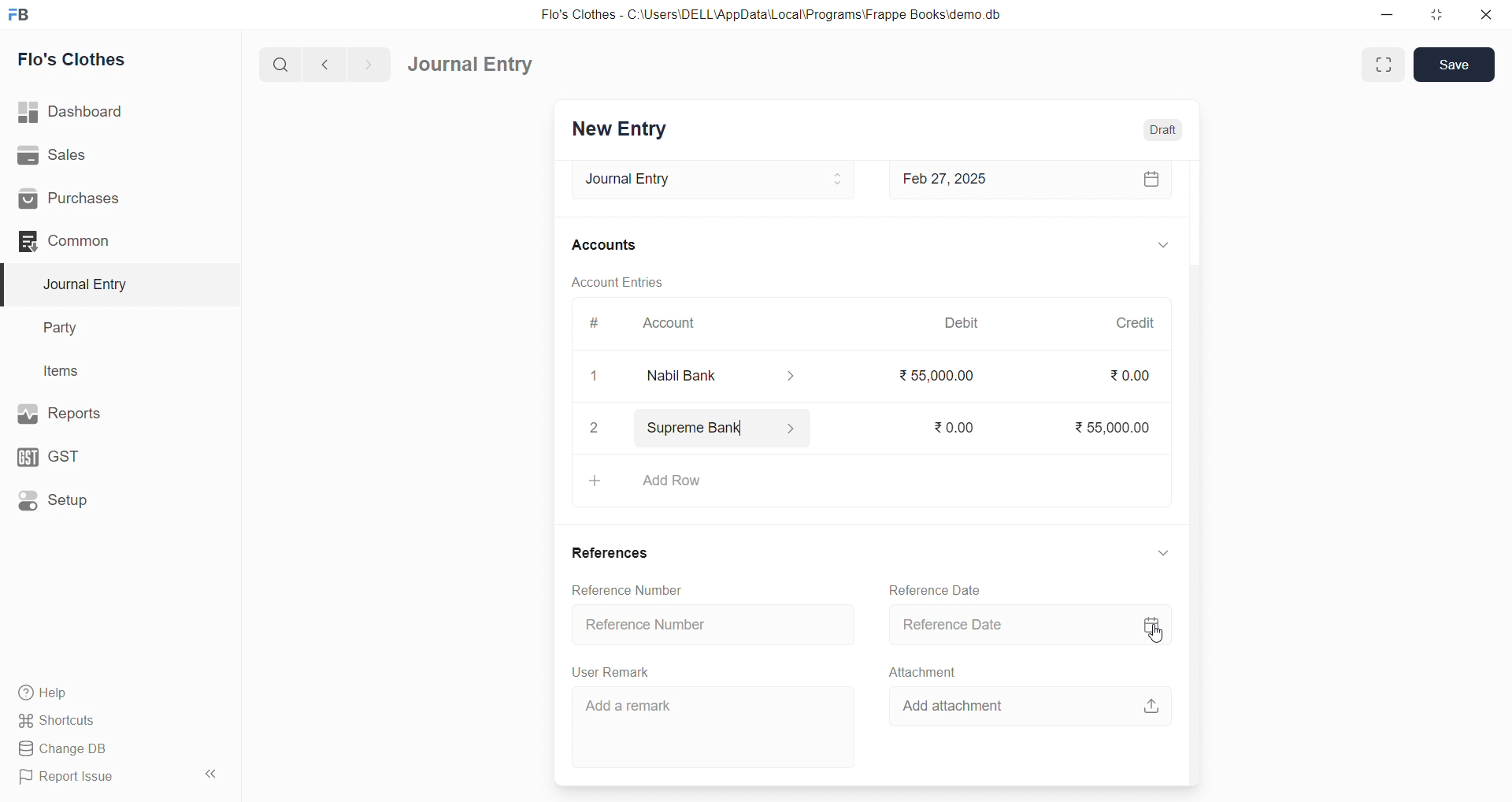 Image resolution: width=1512 pixels, height=802 pixels. Describe the element at coordinates (86, 113) in the screenshot. I see `| Dashboard` at that location.